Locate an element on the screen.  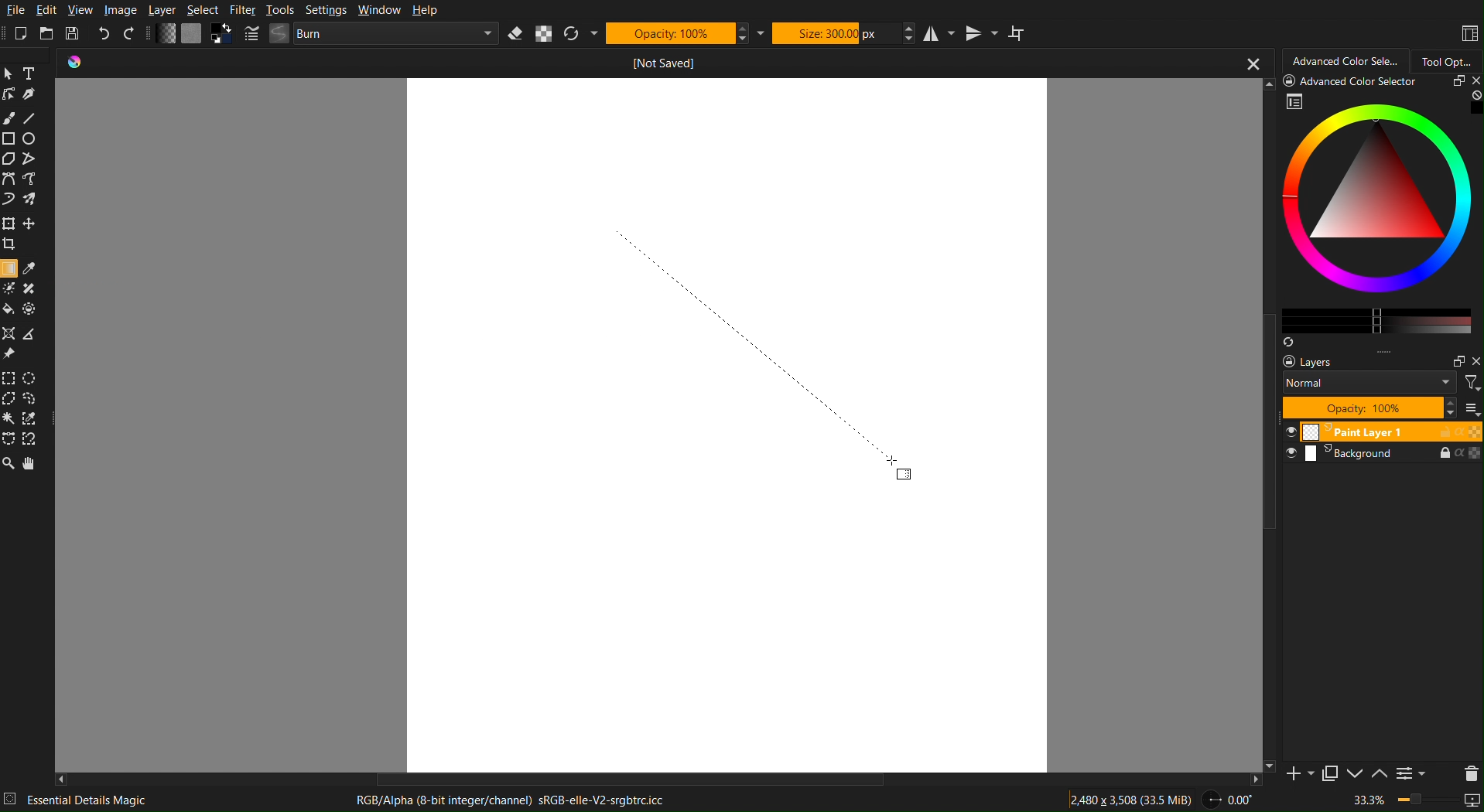
Linework is located at coordinates (10, 94).